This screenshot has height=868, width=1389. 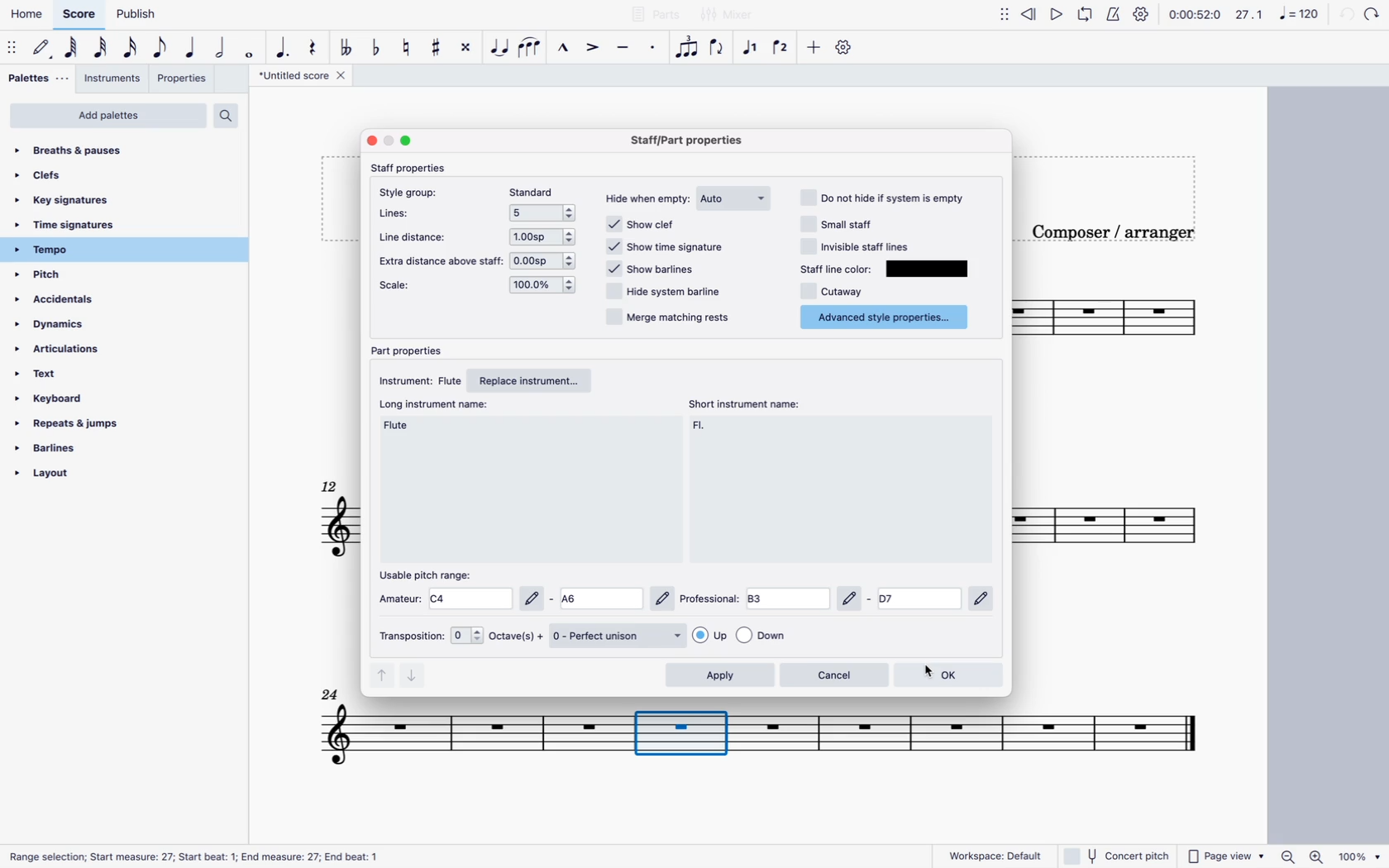 What do you see at coordinates (1194, 13) in the screenshot?
I see `time` at bounding box center [1194, 13].